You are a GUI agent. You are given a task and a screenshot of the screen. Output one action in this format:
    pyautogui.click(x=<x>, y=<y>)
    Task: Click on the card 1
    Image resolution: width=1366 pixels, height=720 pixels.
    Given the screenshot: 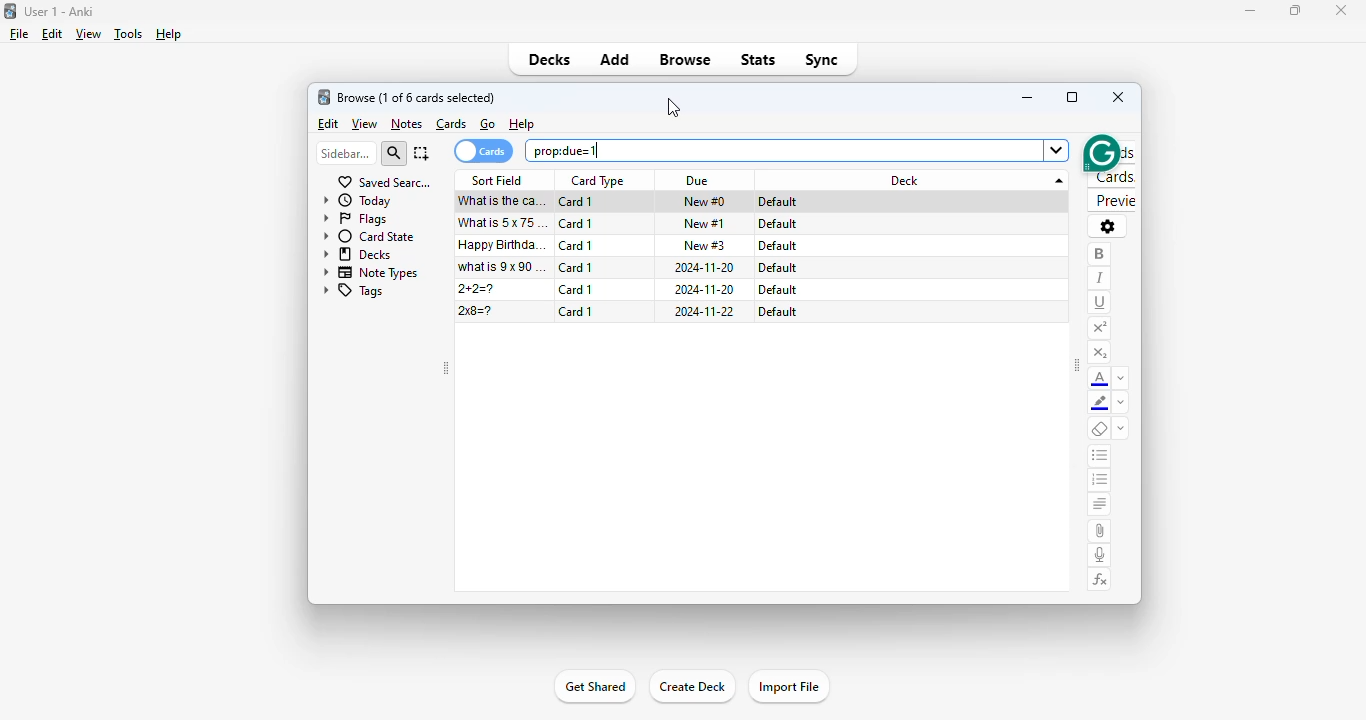 What is the action you would take?
    pyautogui.click(x=575, y=202)
    